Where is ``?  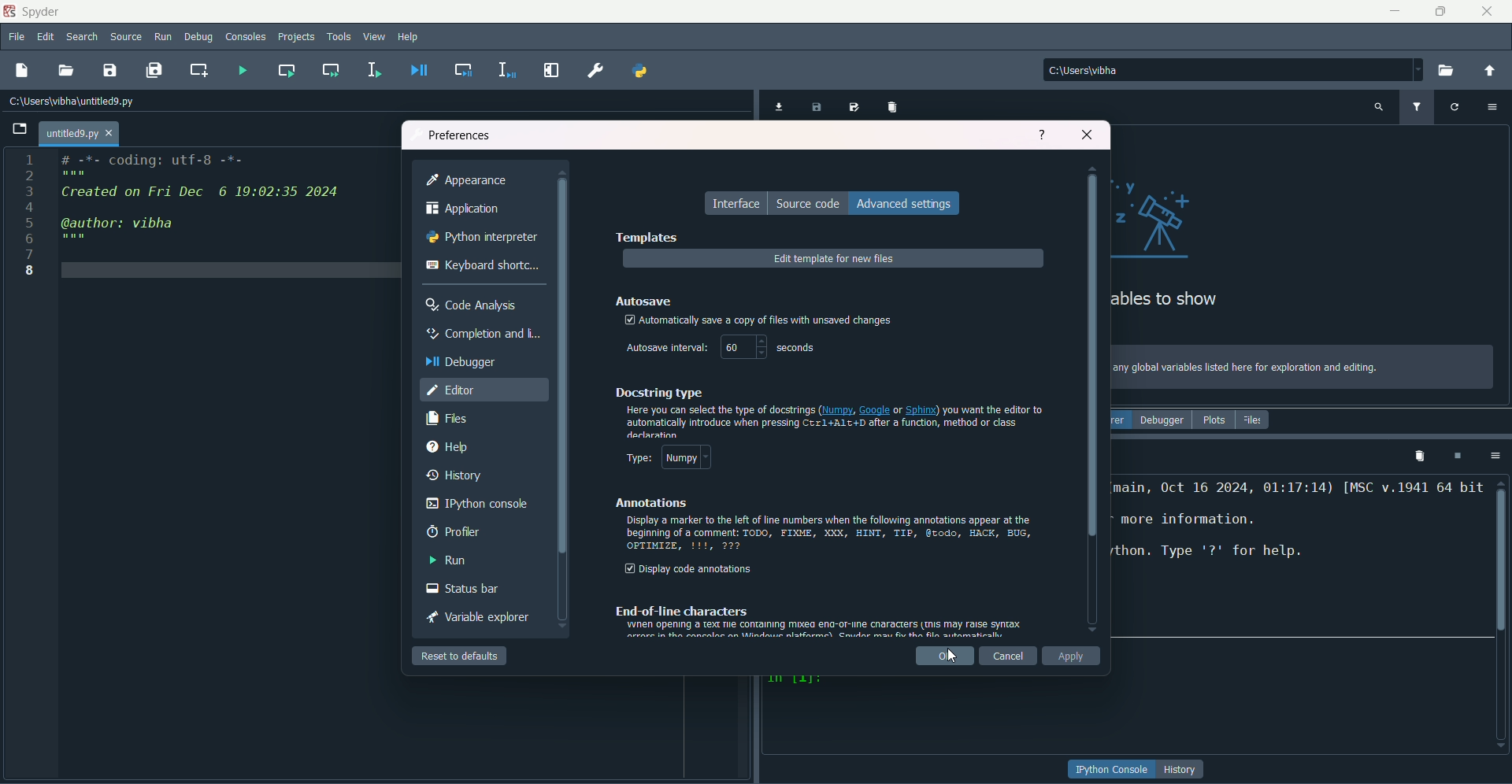
 is located at coordinates (297, 39).